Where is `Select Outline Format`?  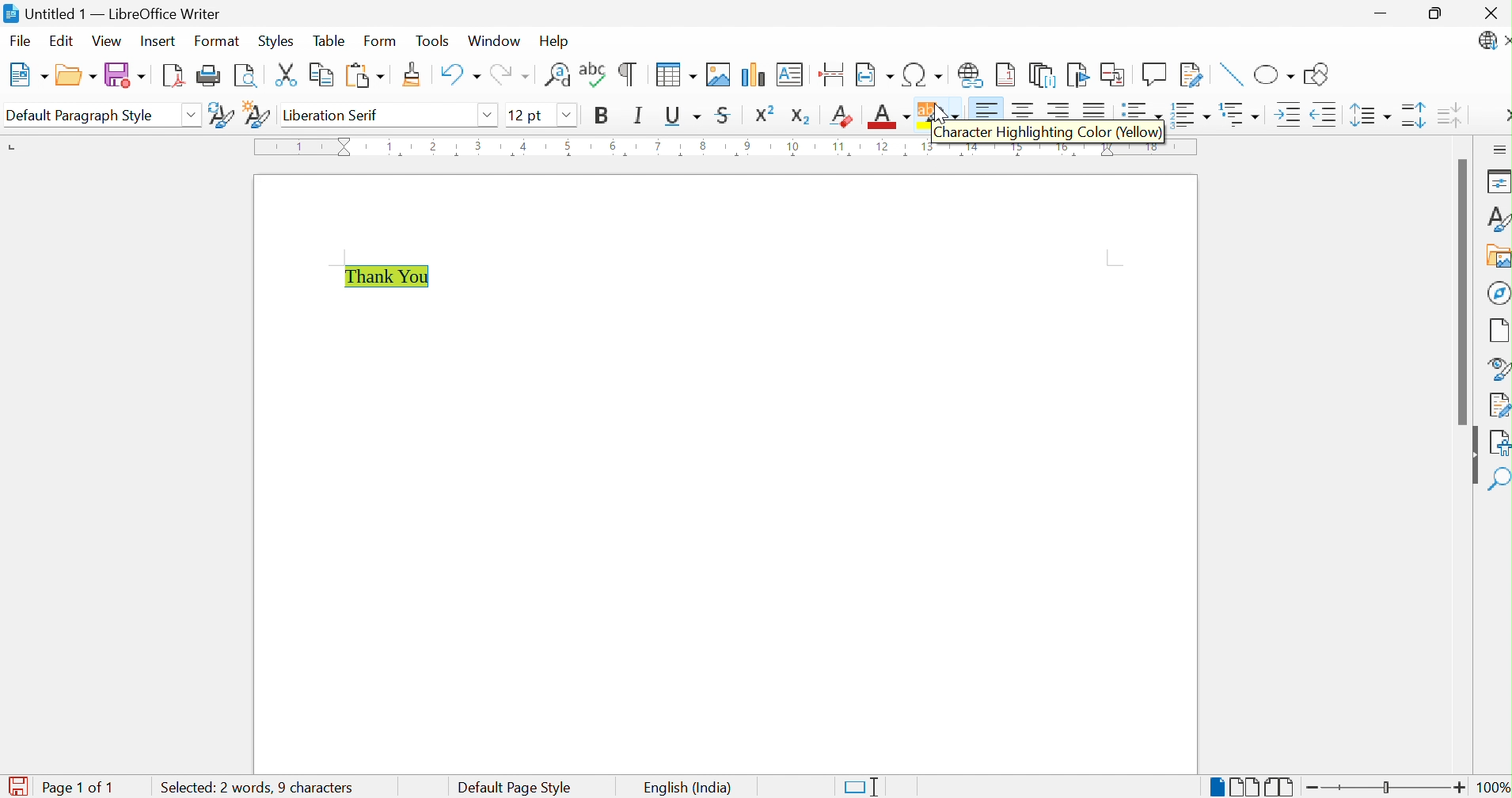 Select Outline Format is located at coordinates (1238, 115).